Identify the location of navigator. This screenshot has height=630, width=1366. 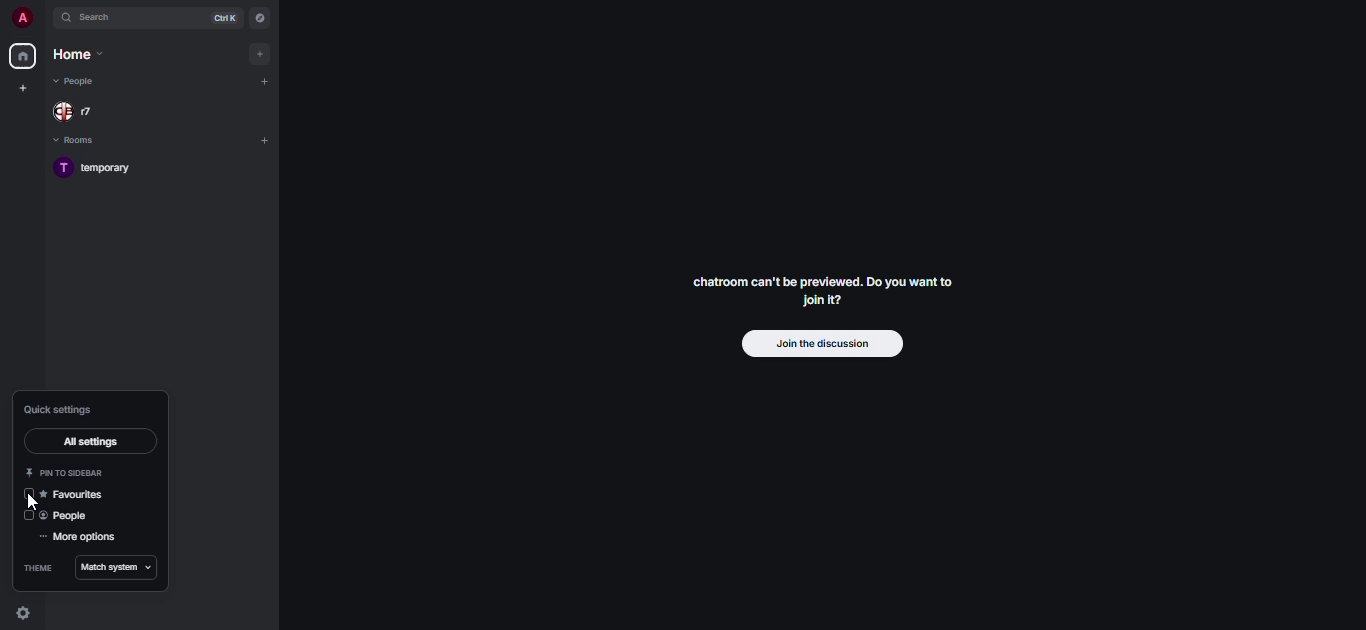
(261, 18).